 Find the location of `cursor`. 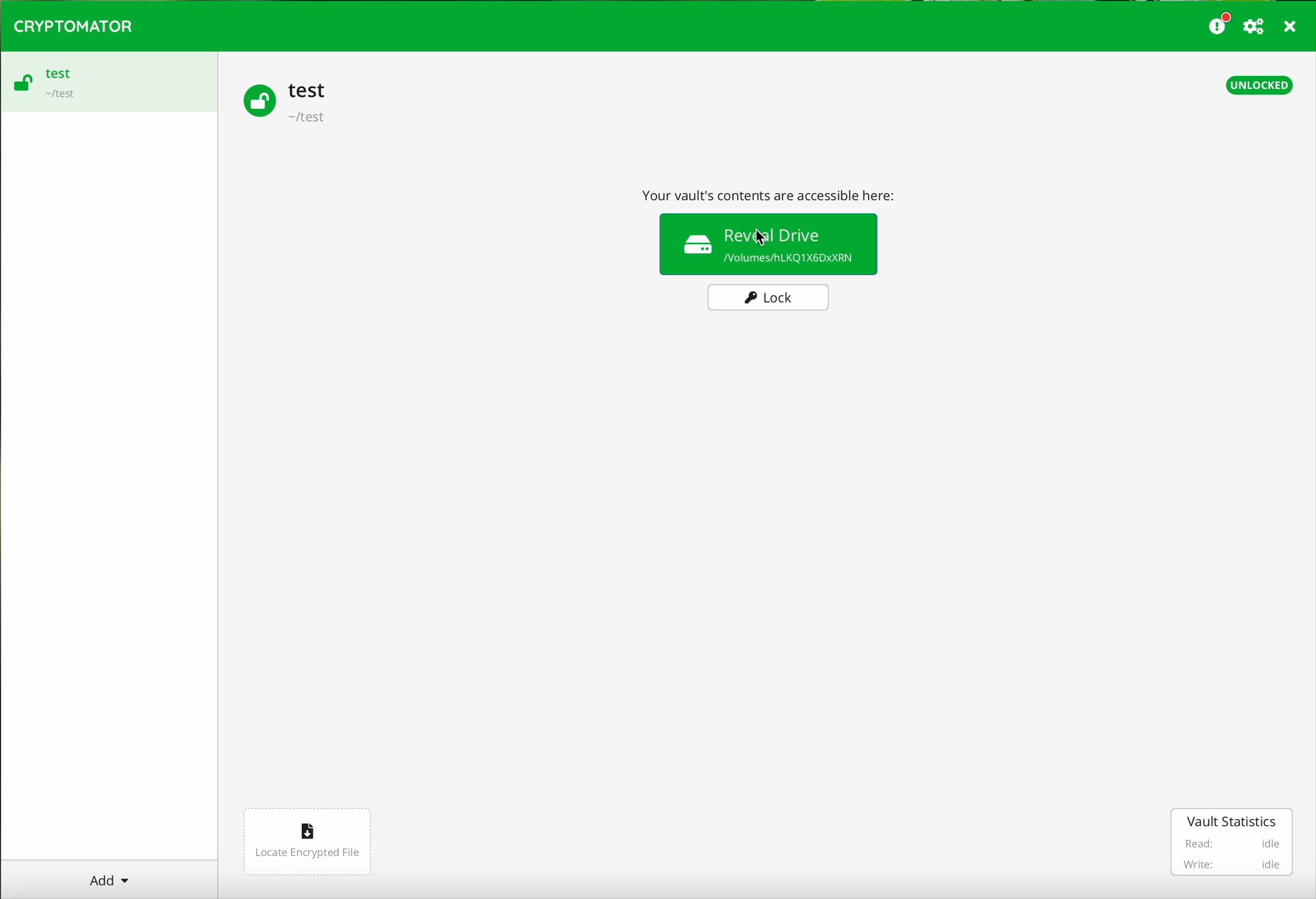

cursor is located at coordinates (763, 239).